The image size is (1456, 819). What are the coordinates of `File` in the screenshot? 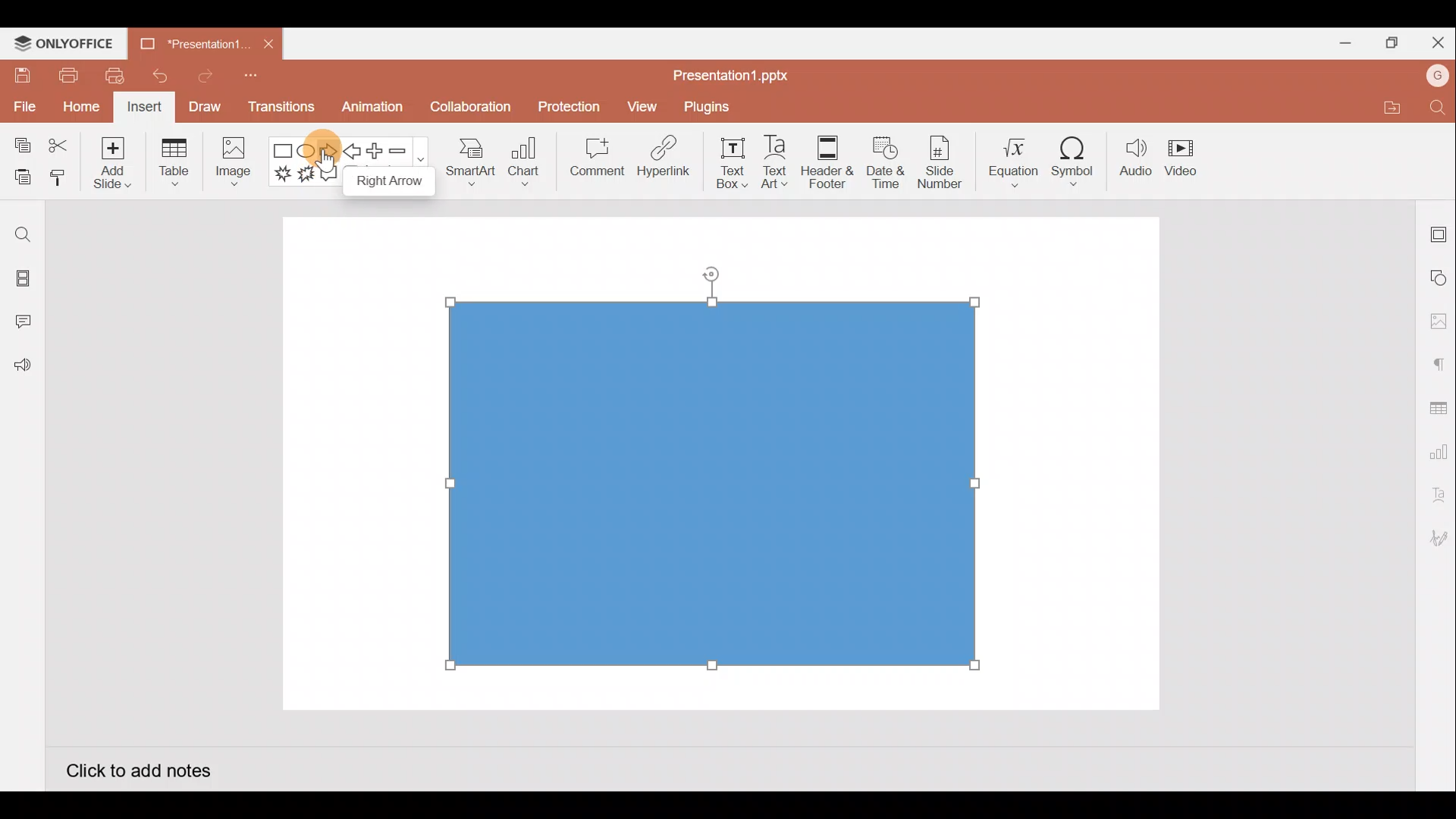 It's located at (23, 104).